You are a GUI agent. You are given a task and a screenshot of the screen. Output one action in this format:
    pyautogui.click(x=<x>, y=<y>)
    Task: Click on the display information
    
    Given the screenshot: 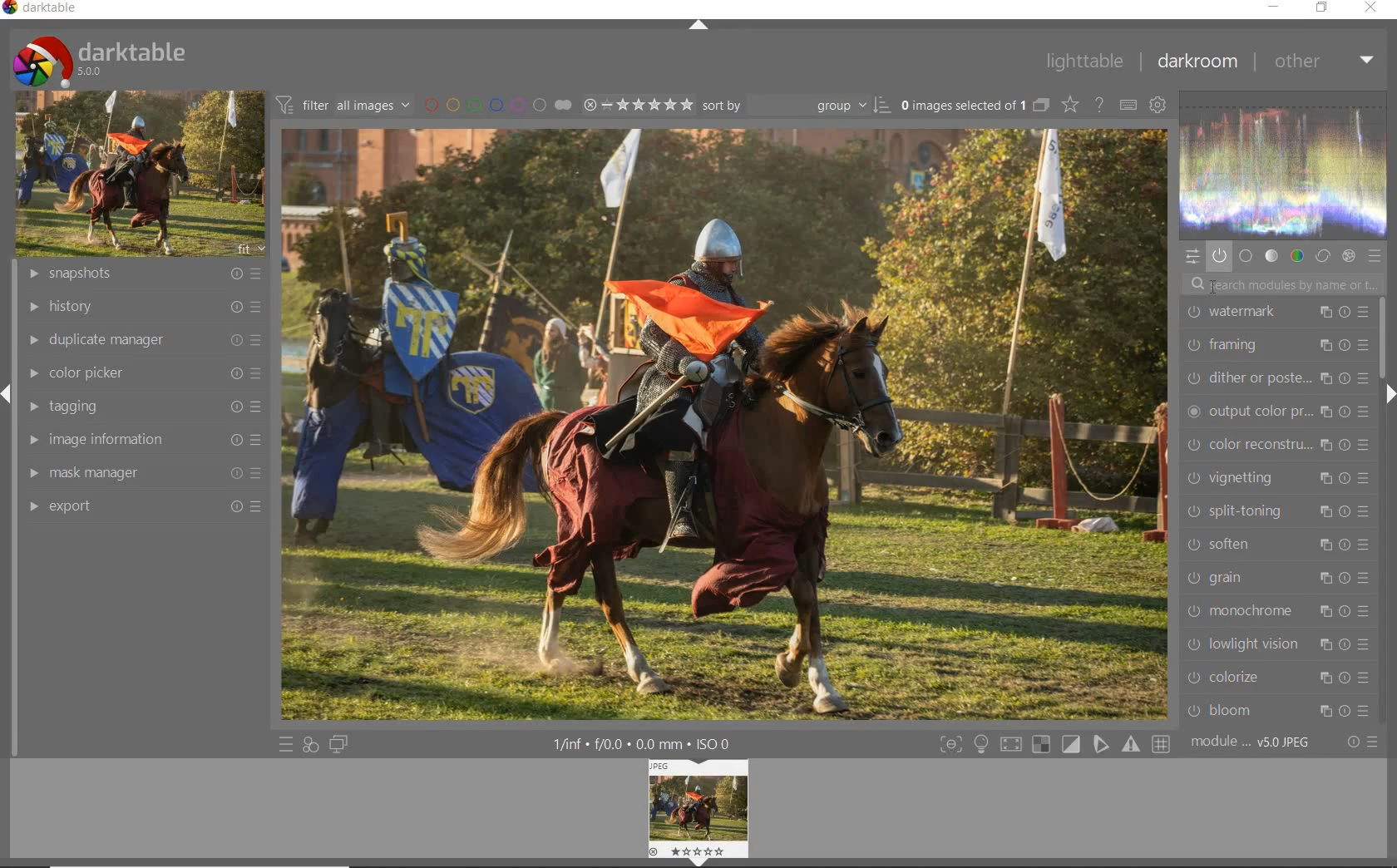 What is the action you would take?
    pyautogui.click(x=650, y=743)
    